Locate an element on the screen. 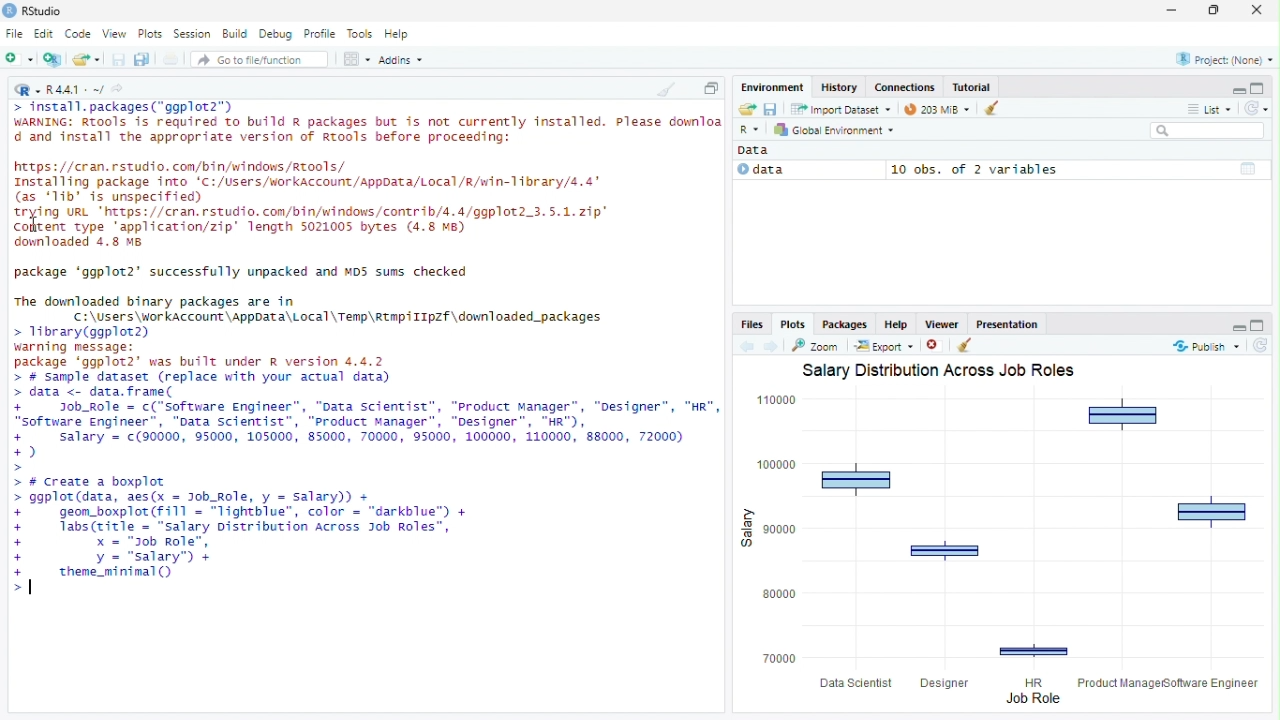  Tutorial is located at coordinates (973, 87).